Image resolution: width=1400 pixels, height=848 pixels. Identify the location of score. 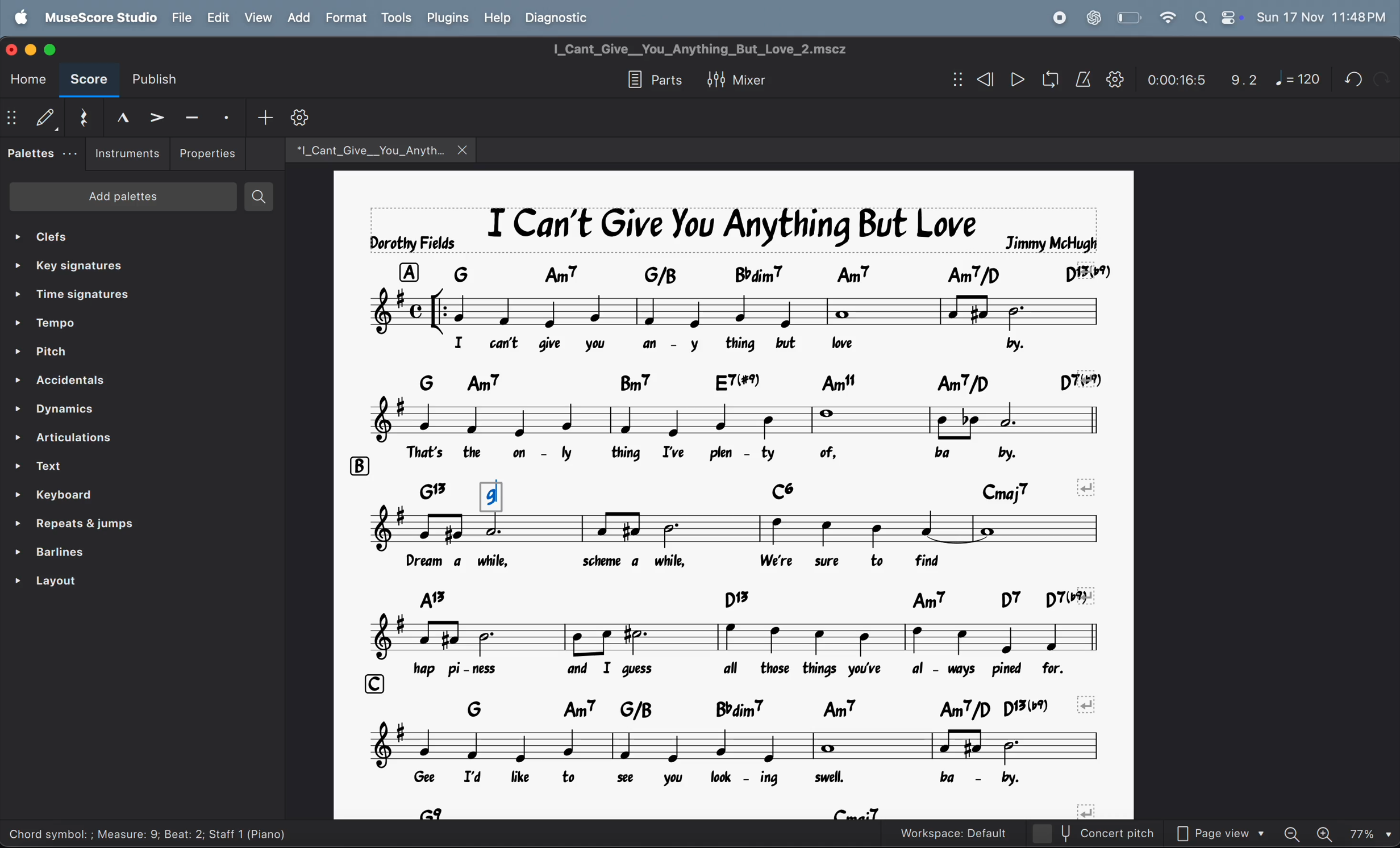
(89, 82).